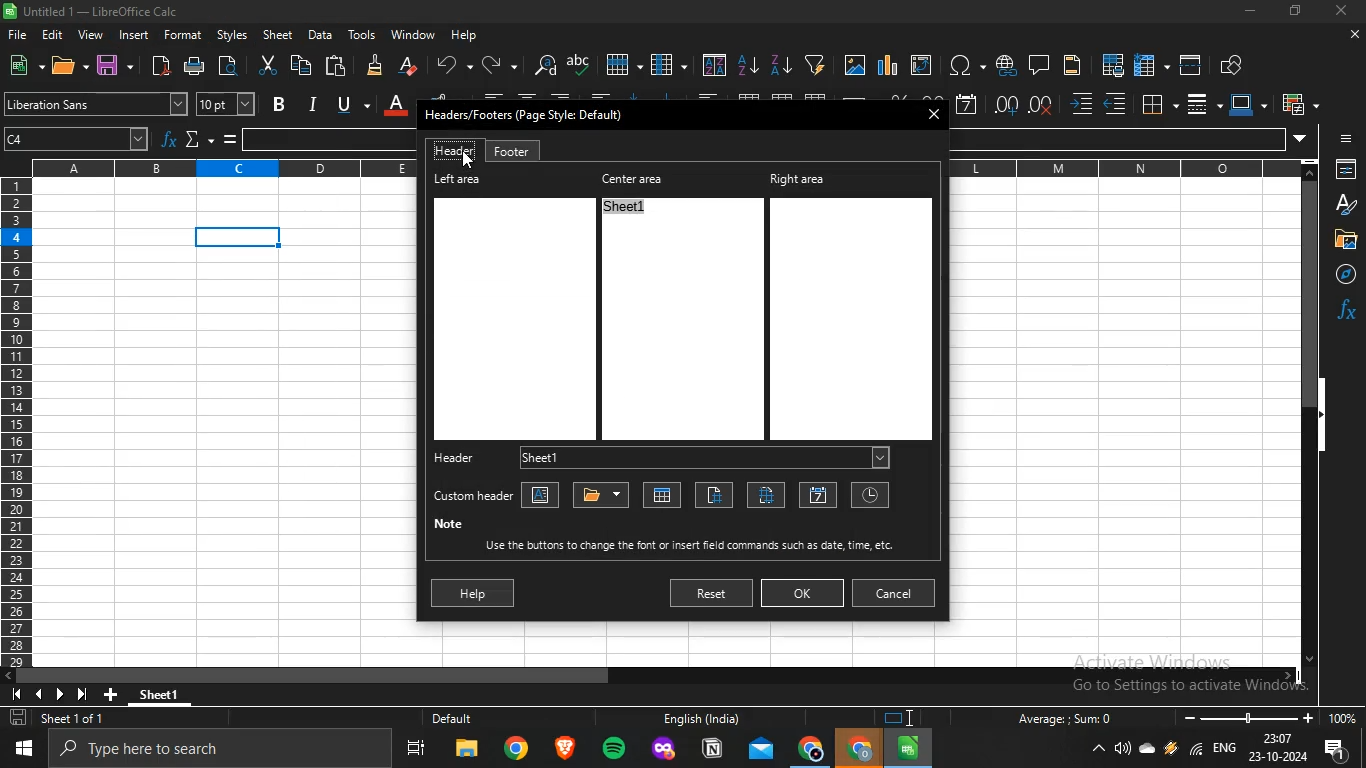 The image size is (1366, 768). Describe the element at coordinates (1339, 752) in the screenshot. I see `notifications` at that location.